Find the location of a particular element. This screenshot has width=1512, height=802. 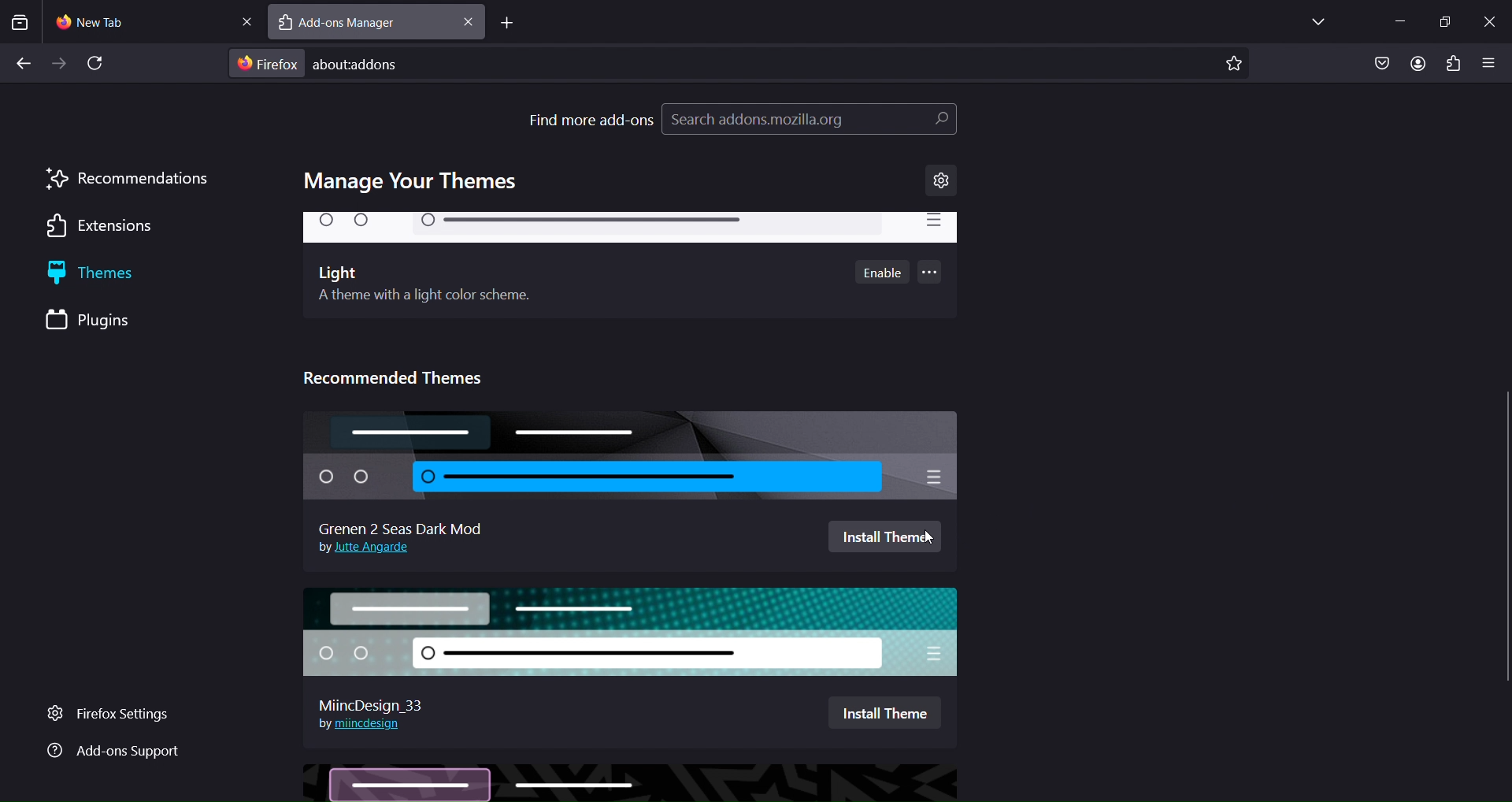

minx design 33 is located at coordinates (379, 700).